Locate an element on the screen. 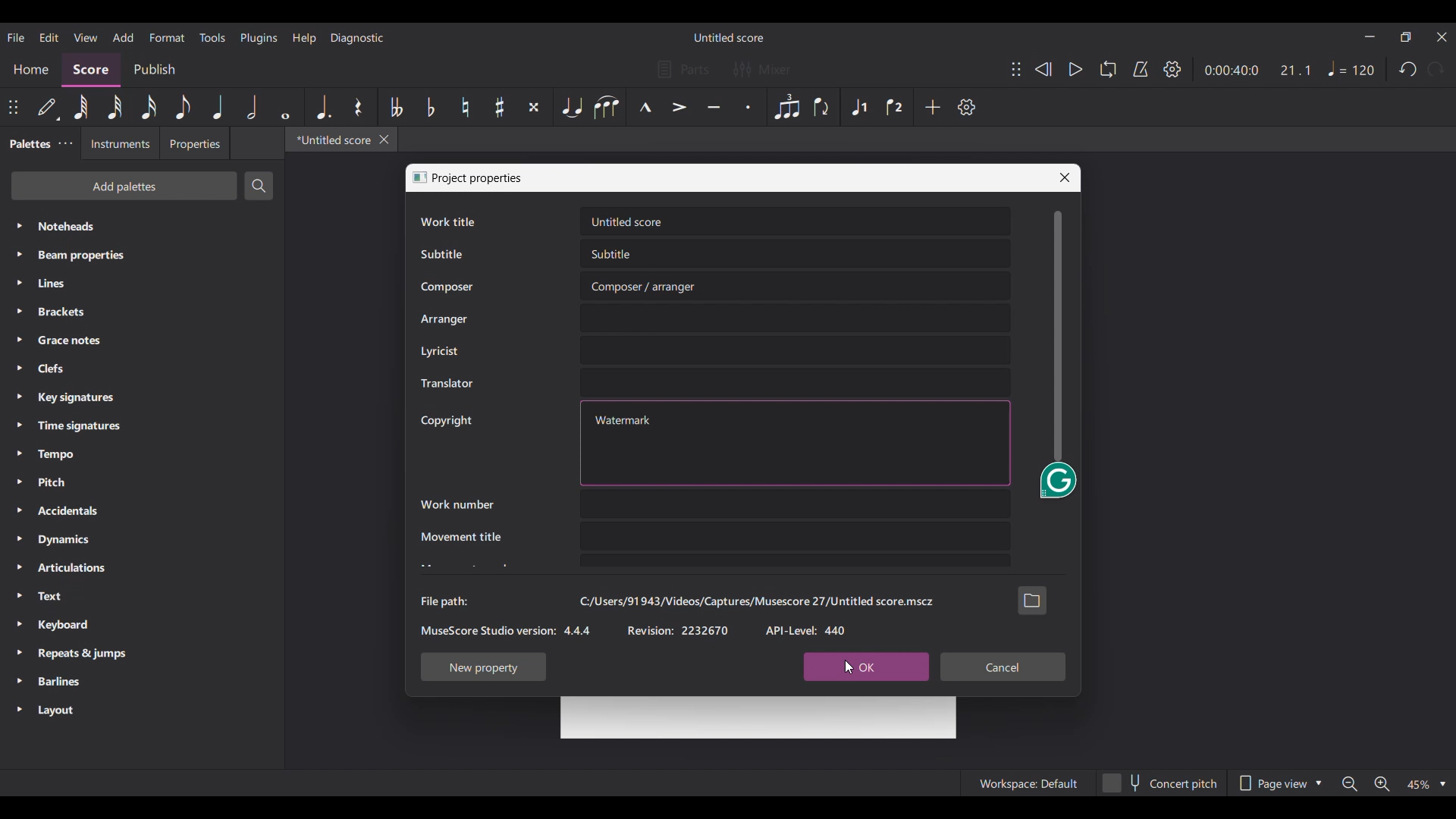 The image size is (1456, 819). Current duration is located at coordinates (1232, 70).